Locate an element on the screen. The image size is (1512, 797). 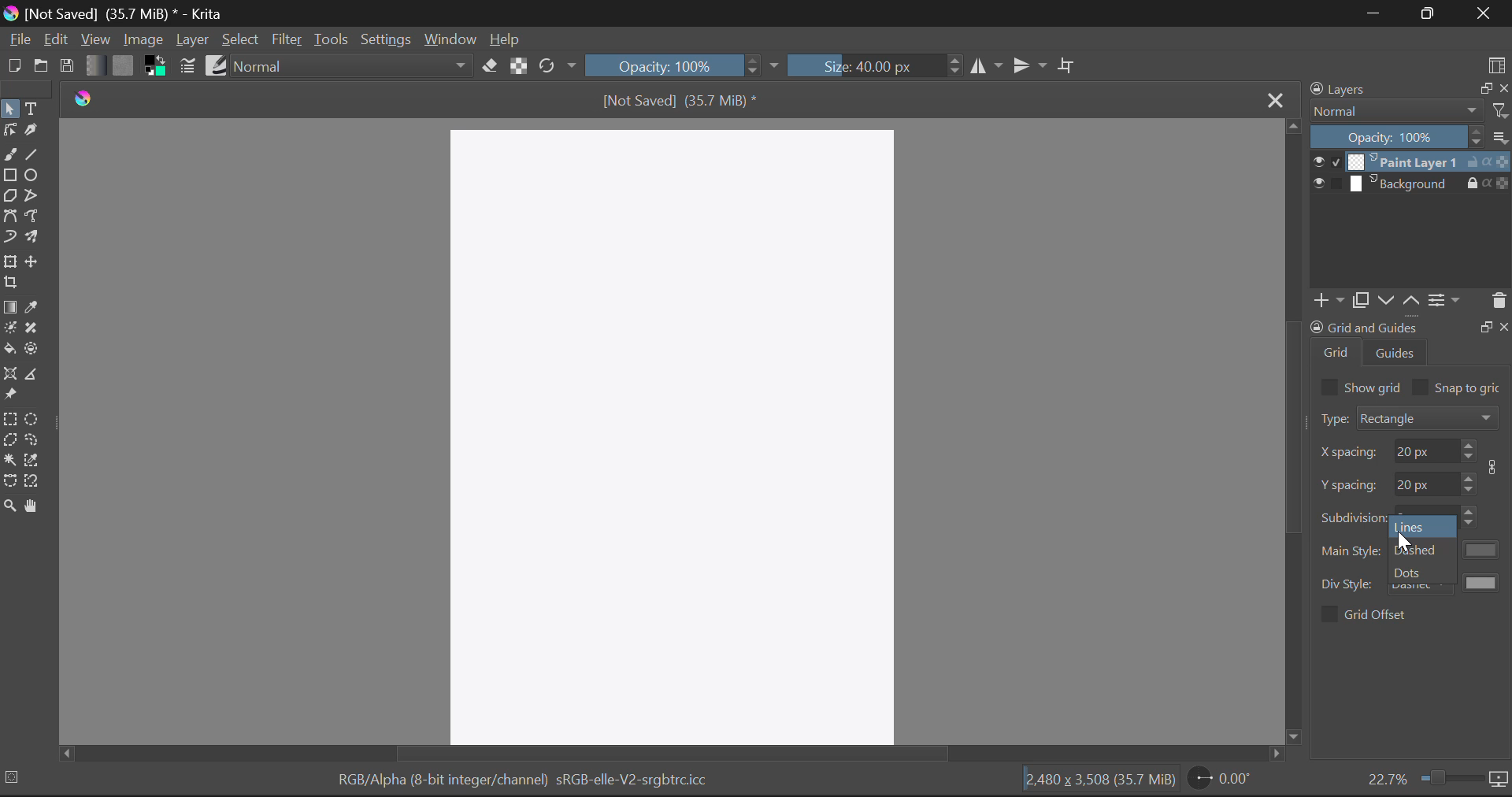
Help is located at coordinates (506, 39).